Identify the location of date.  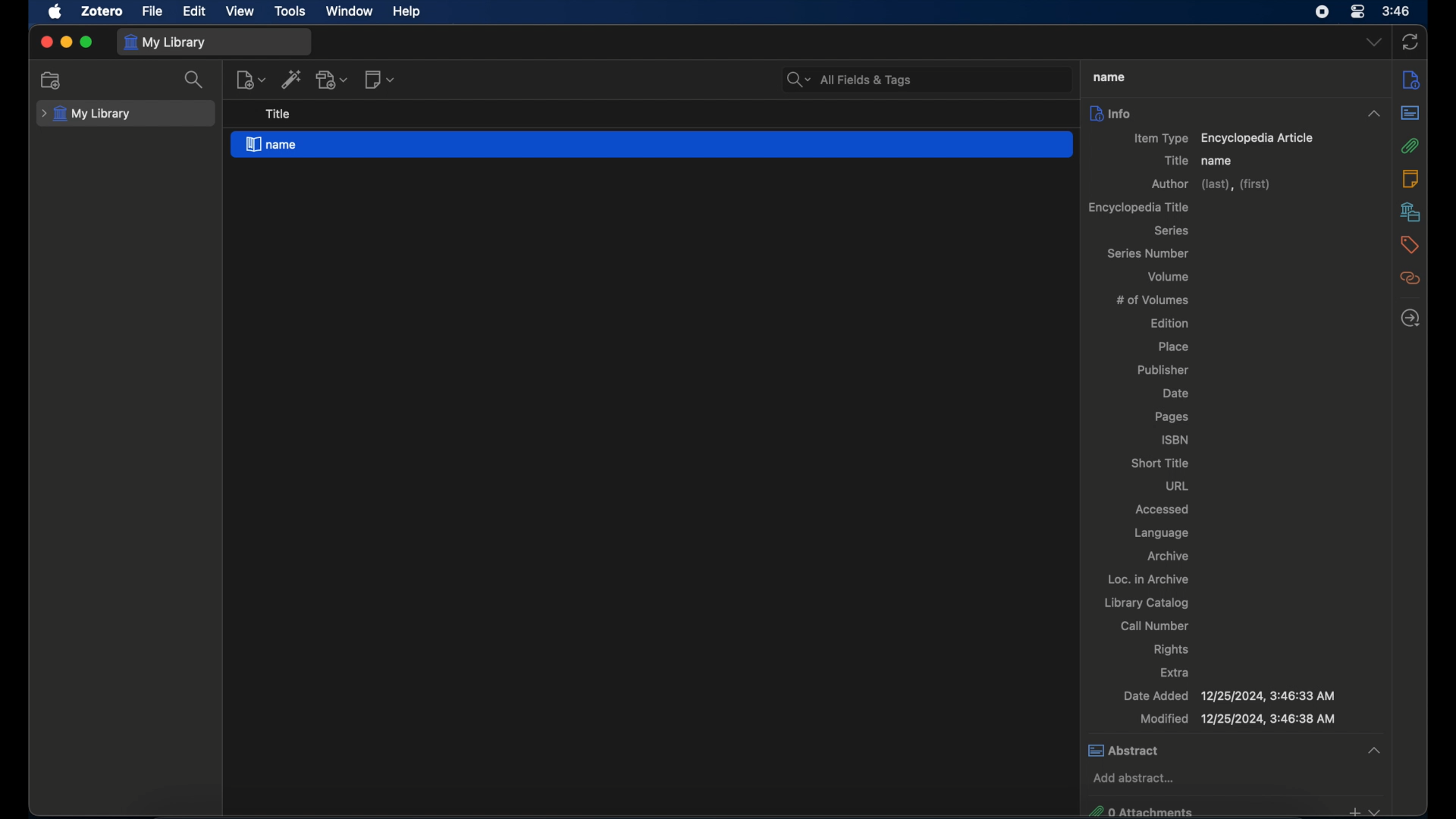
(1175, 394).